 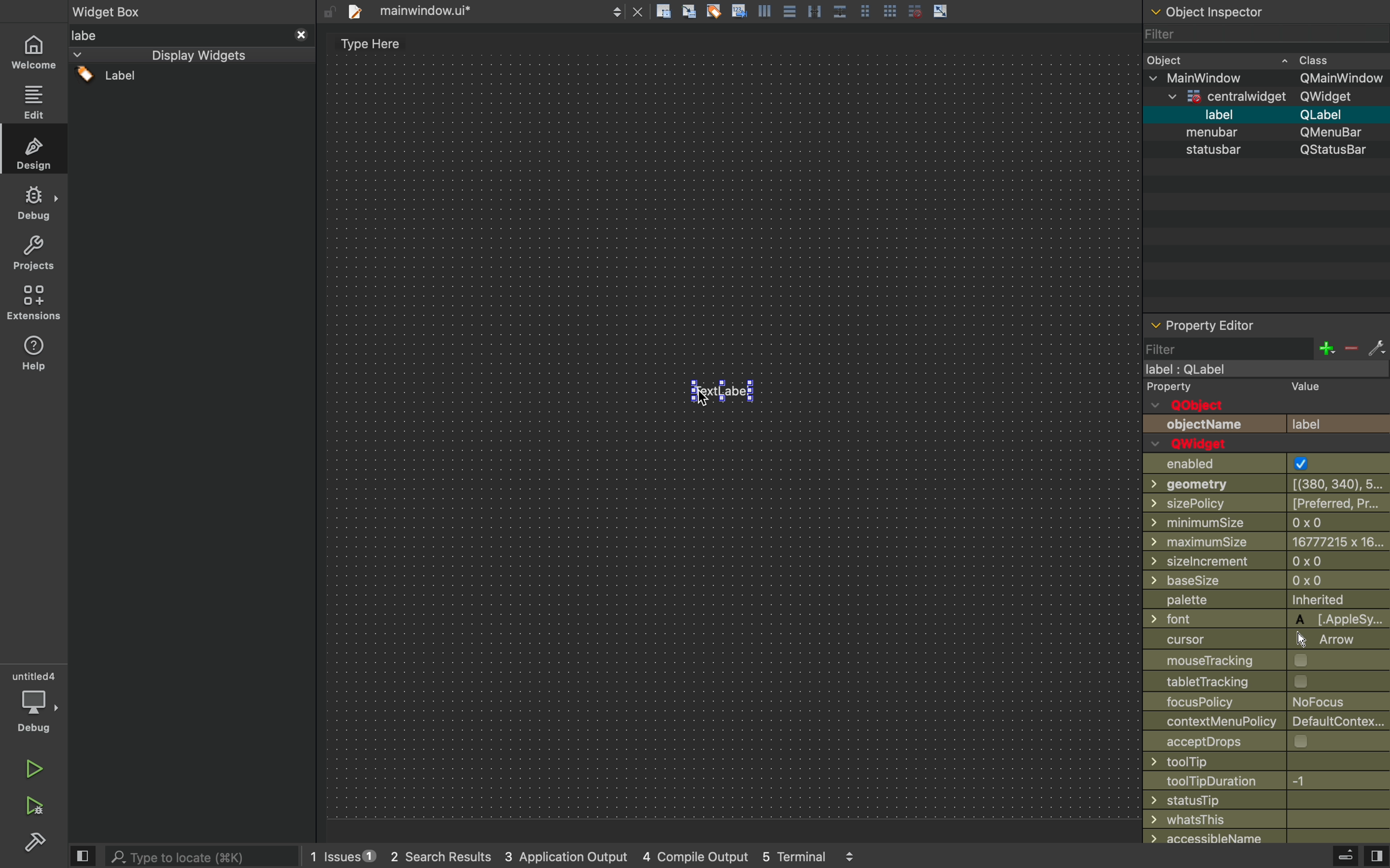 I want to click on value, so click(x=1300, y=388).